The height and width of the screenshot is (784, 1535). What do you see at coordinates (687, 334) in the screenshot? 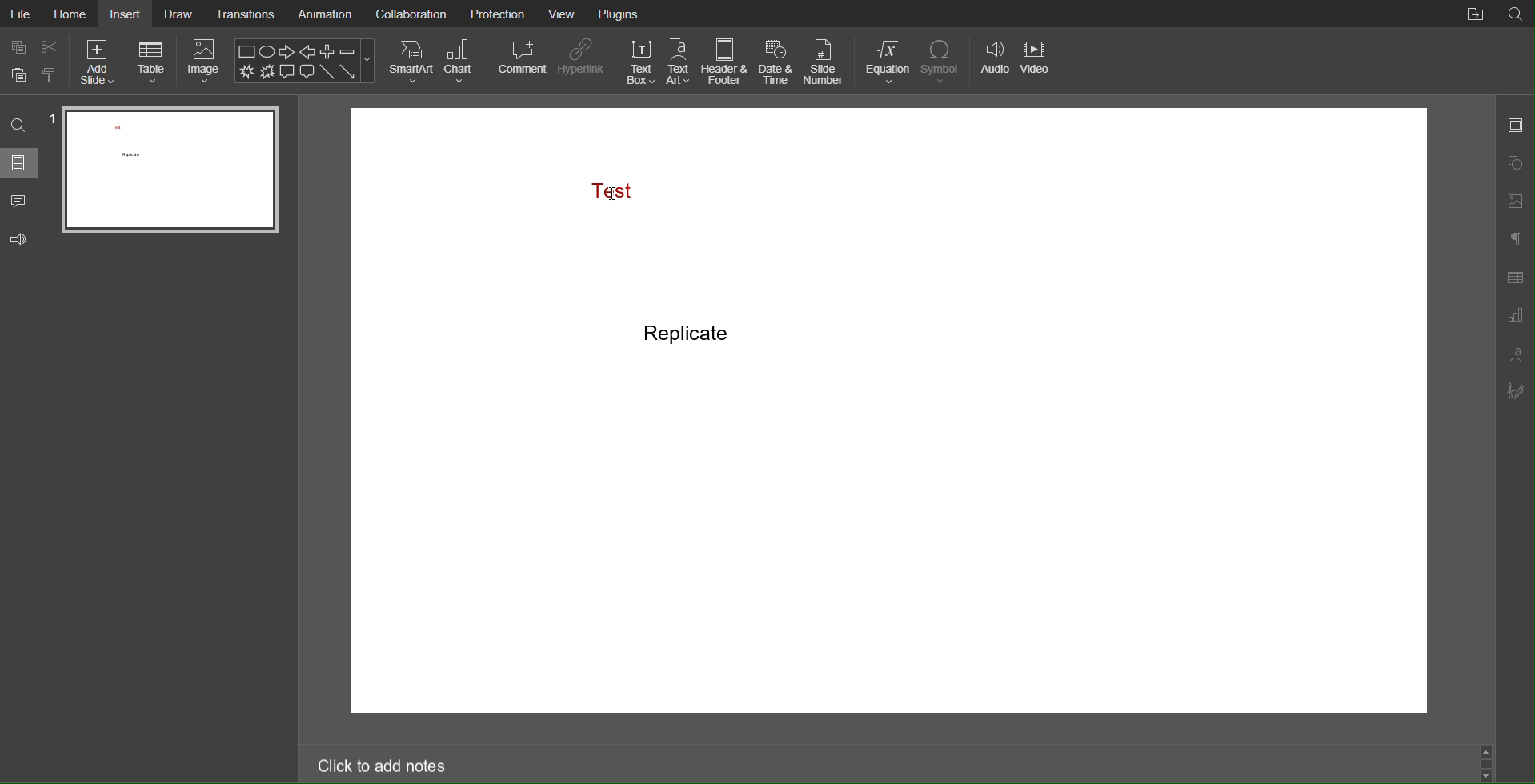
I see `Replicate` at bounding box center [687, 334].